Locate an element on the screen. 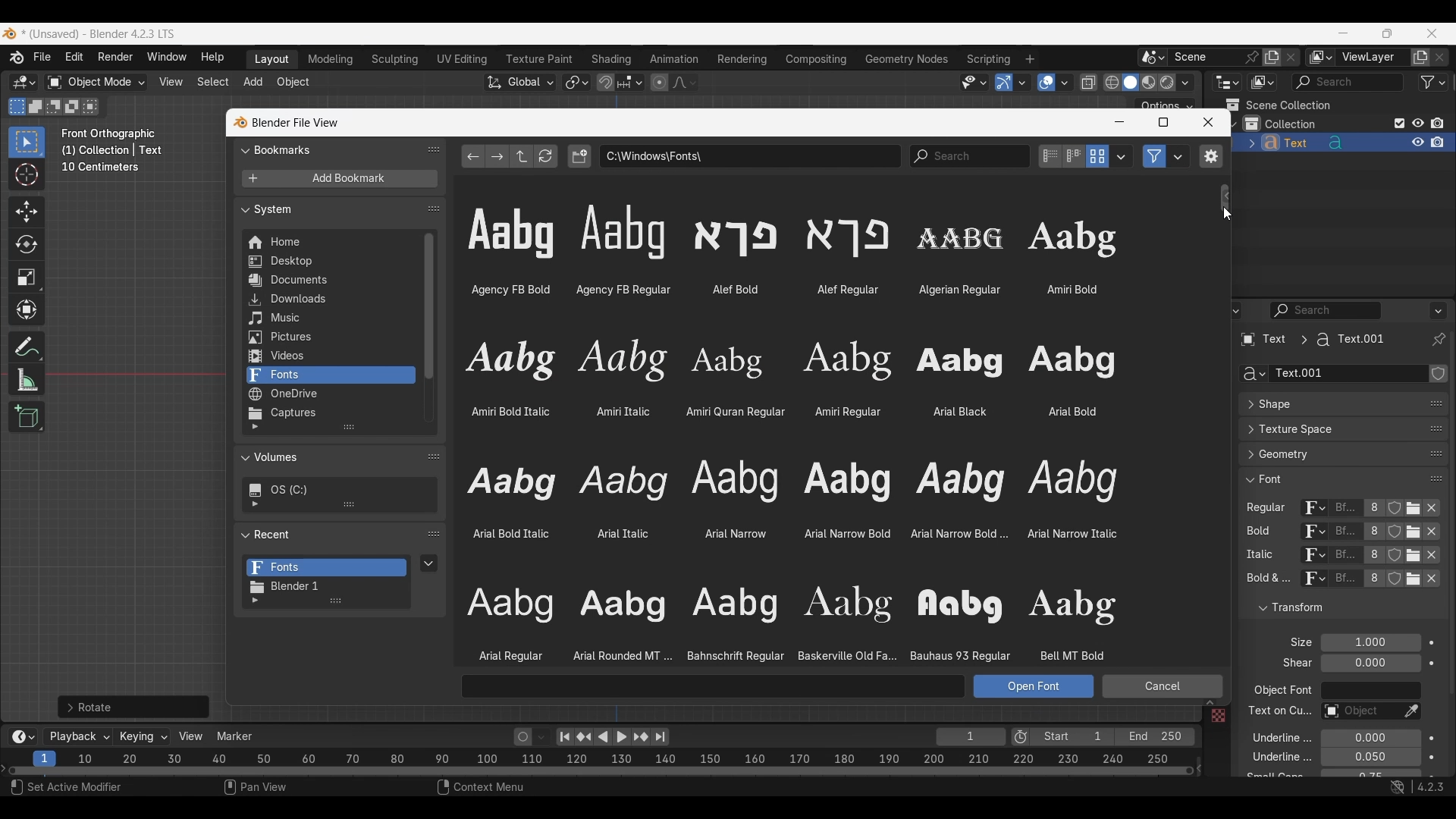  Create new directory is located at coordinates (579, 156).